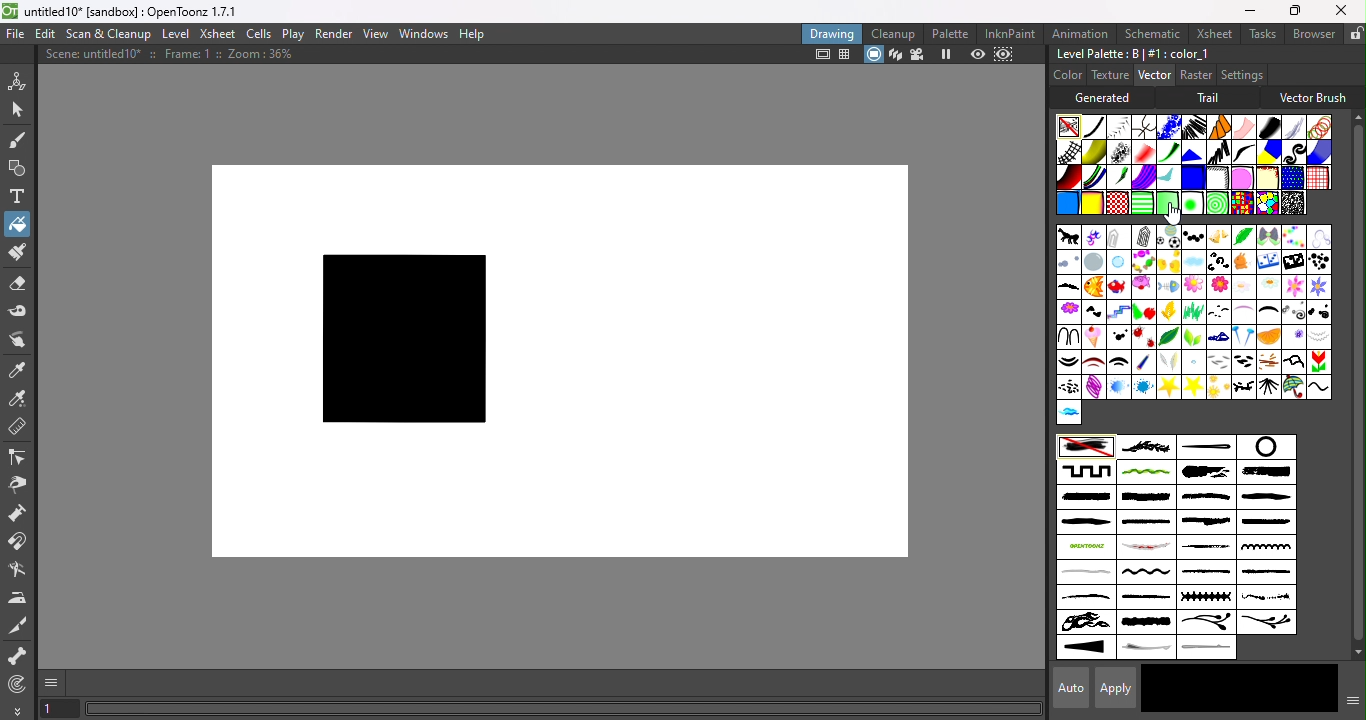 This screenshot has height=720, width=1366. What do you see at coordinates (59, 710) in the screenshot?
I see `Set the current frame` at bounding box center [59, 710].